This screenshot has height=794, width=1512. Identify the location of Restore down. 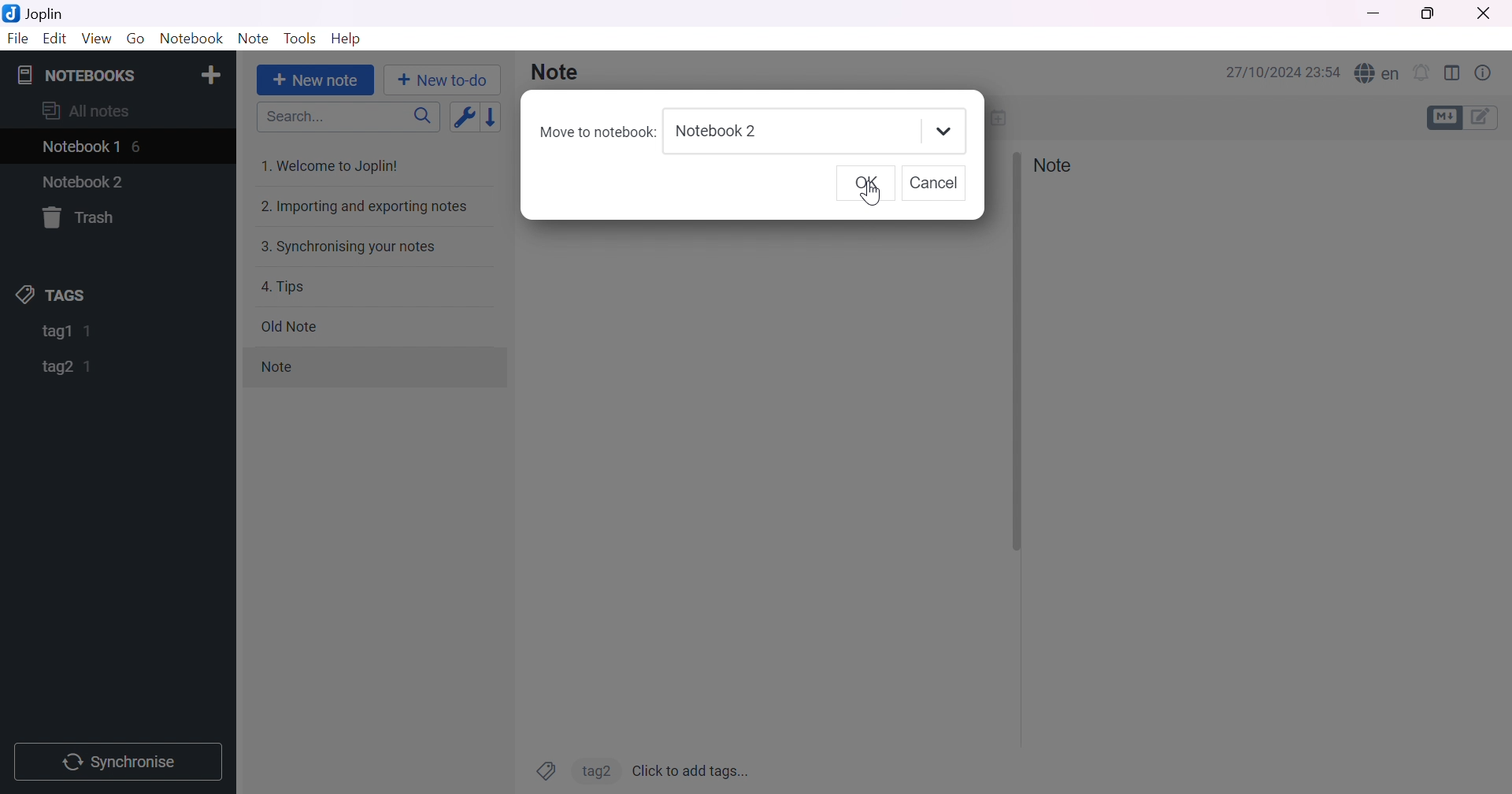
(1429, 15).